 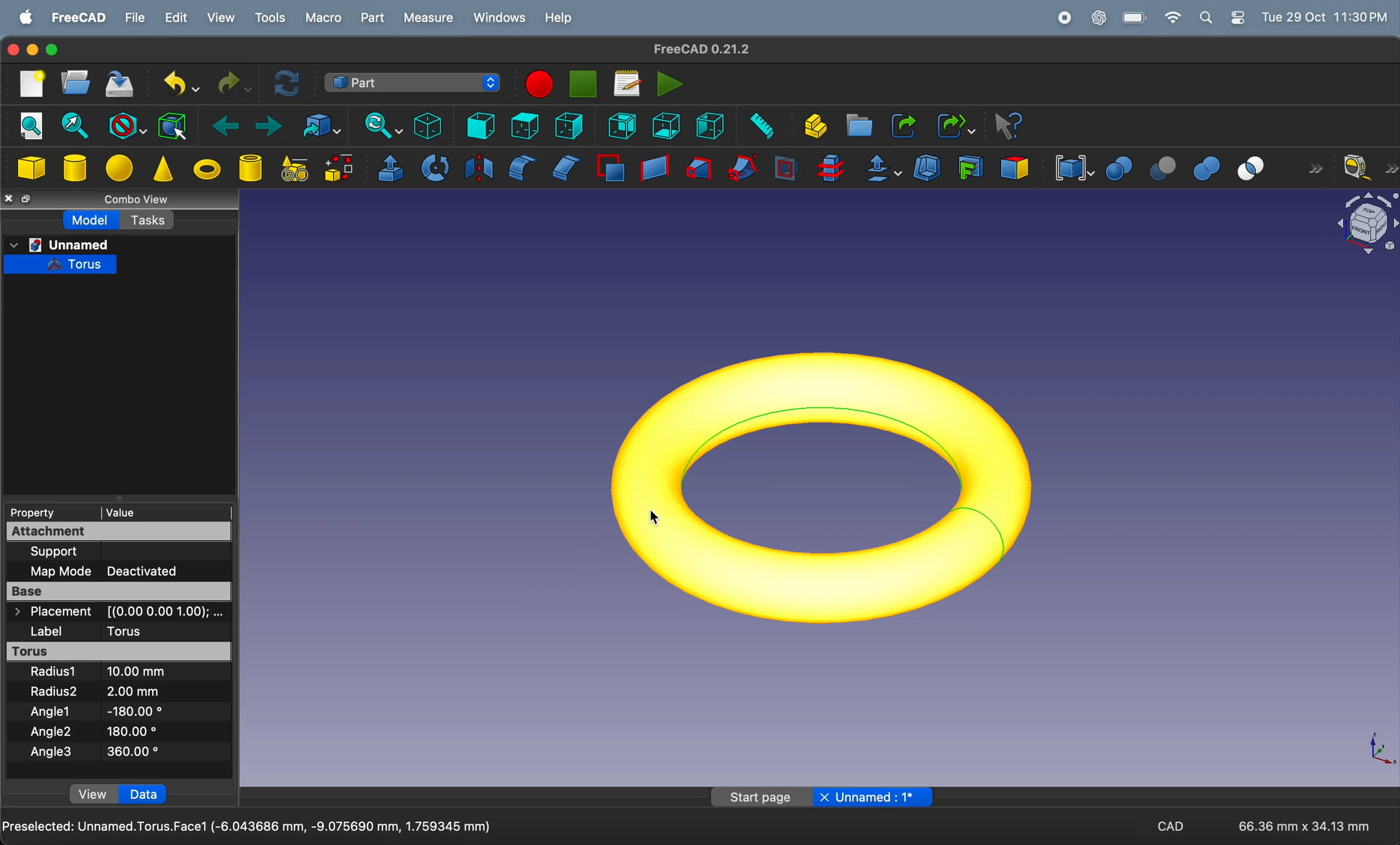 What do you see at coordinates (14, 49) in the screenshot?
I see `closing window` at bounding box center [14, 49].